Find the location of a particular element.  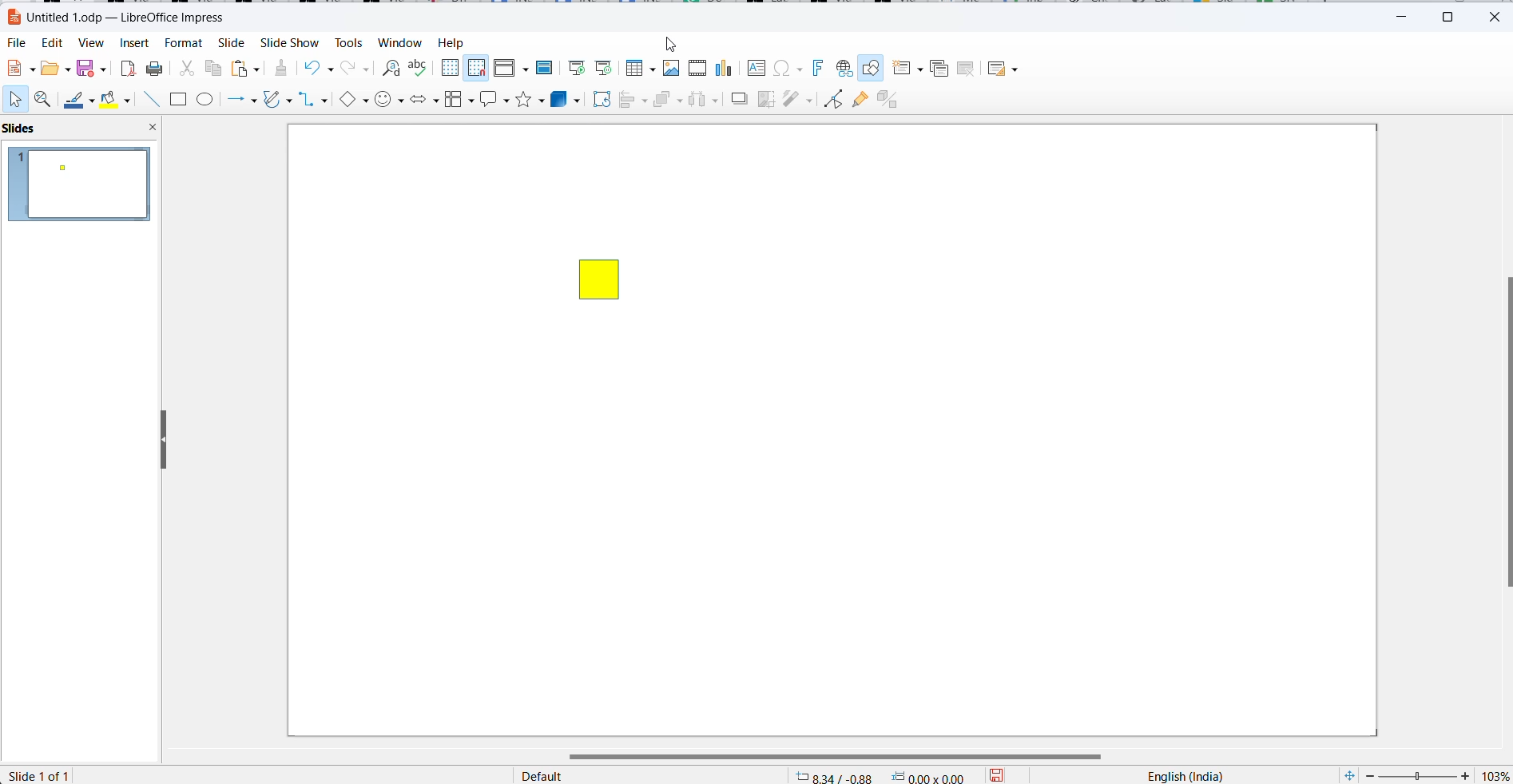

minimize is located at coordinates (1406, 14).